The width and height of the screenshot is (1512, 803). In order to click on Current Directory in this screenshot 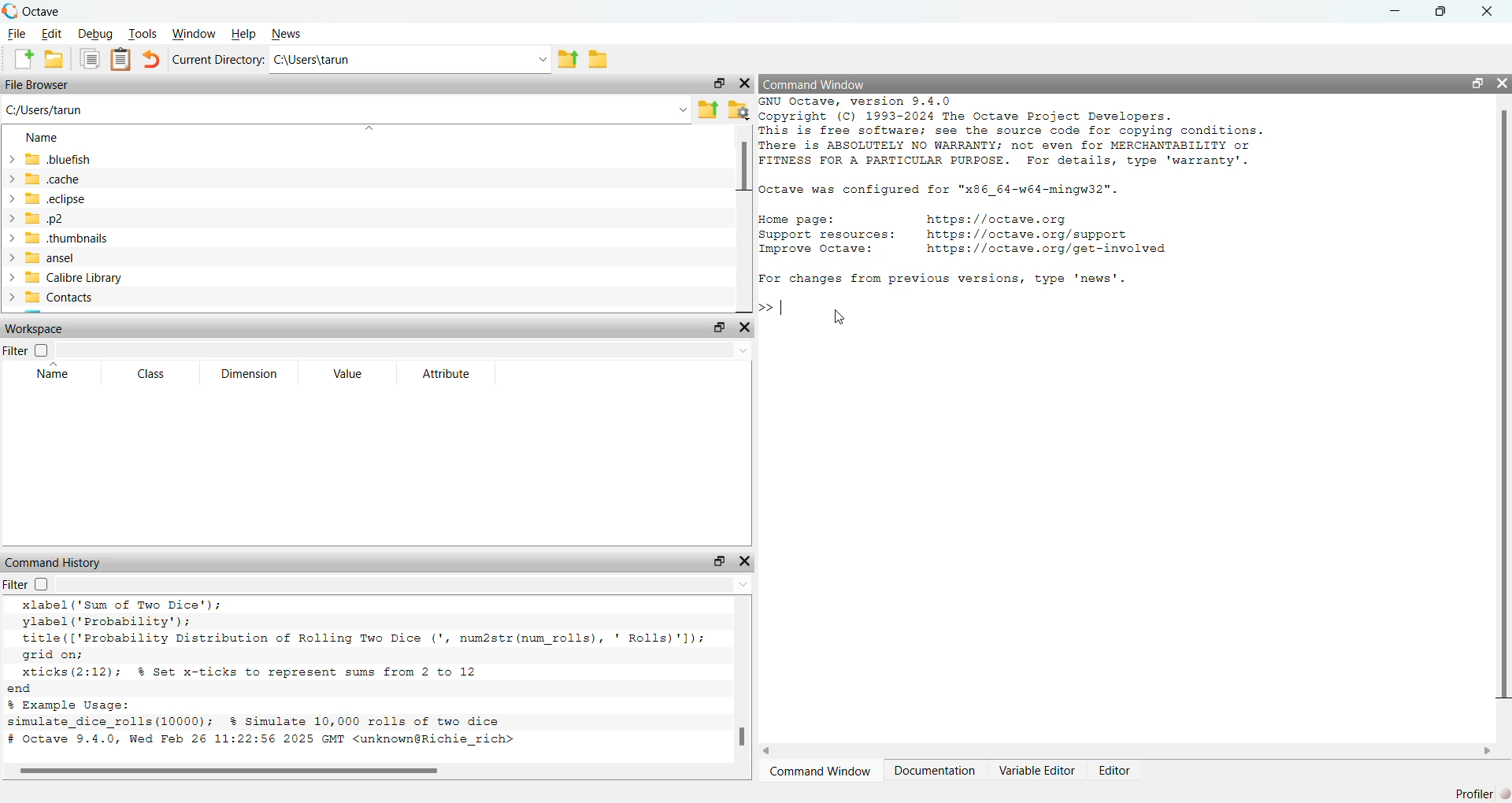, I will do `click(218, 60)`.